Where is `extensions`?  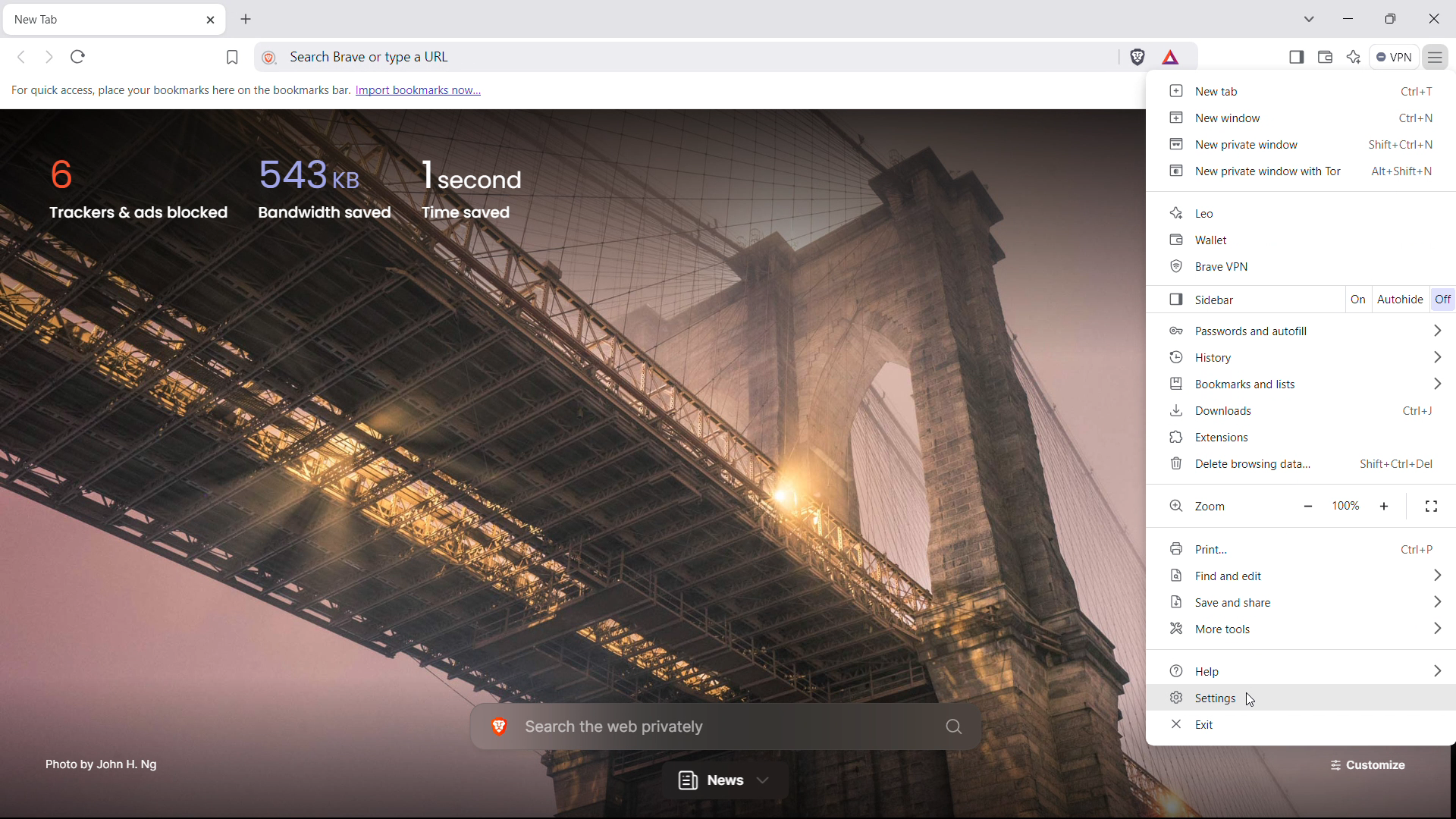
extensions is located at coordinates (1301, 436).